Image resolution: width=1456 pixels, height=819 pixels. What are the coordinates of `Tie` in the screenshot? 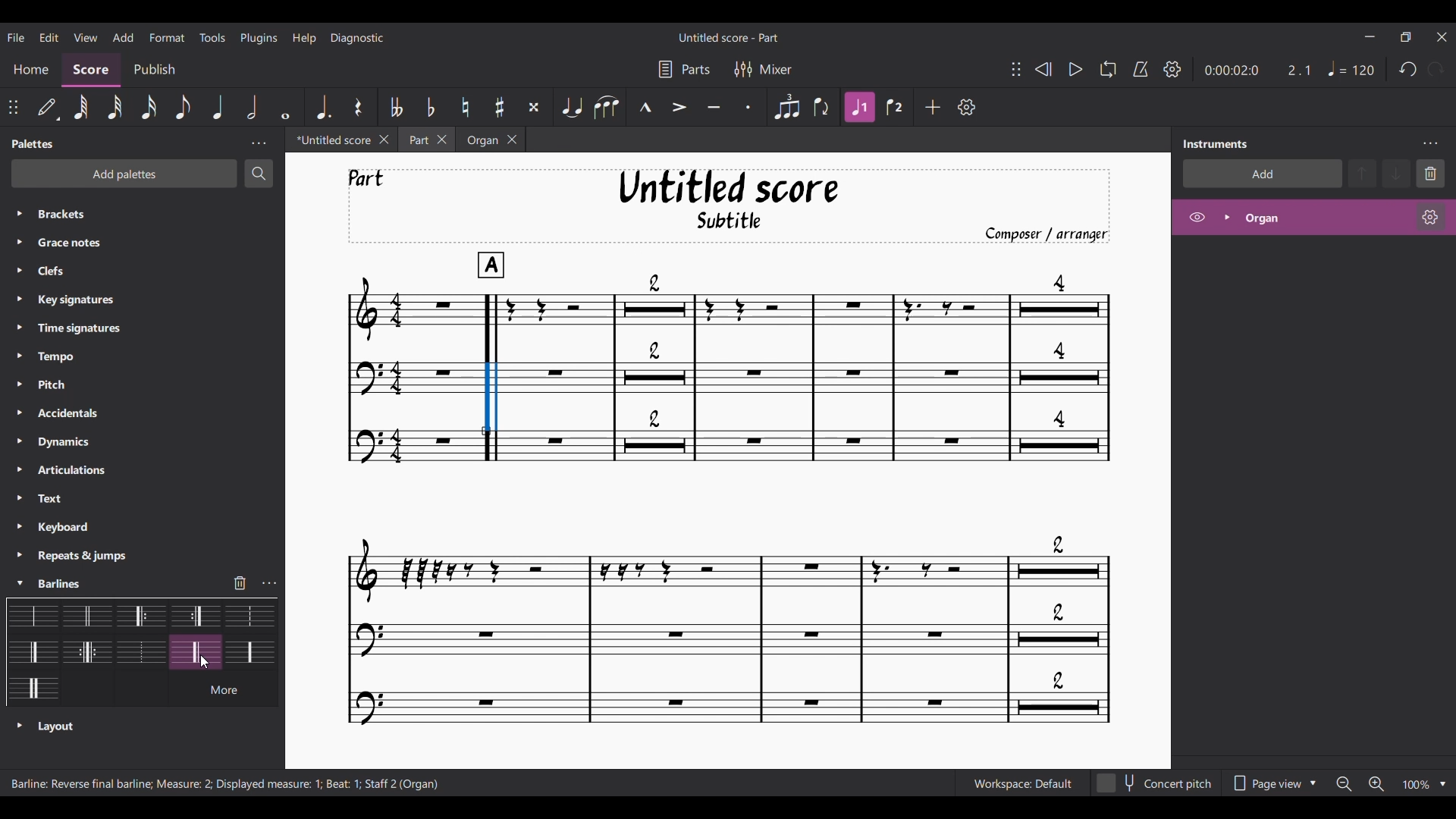 It's located at (573, 107).